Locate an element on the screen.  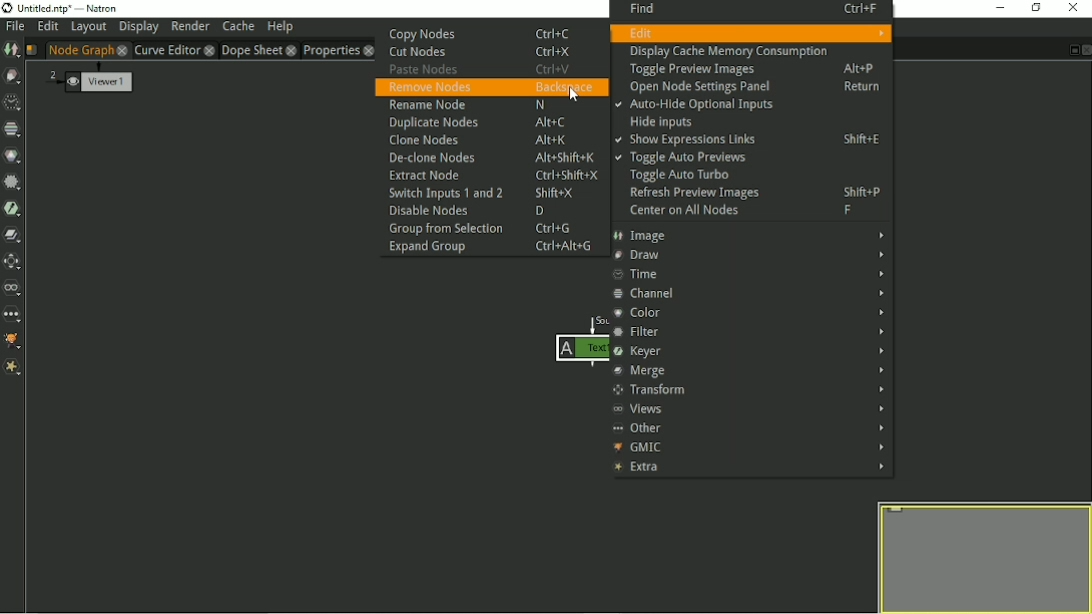
Toggle Auto Turbo is located at coordinates (674, 177).